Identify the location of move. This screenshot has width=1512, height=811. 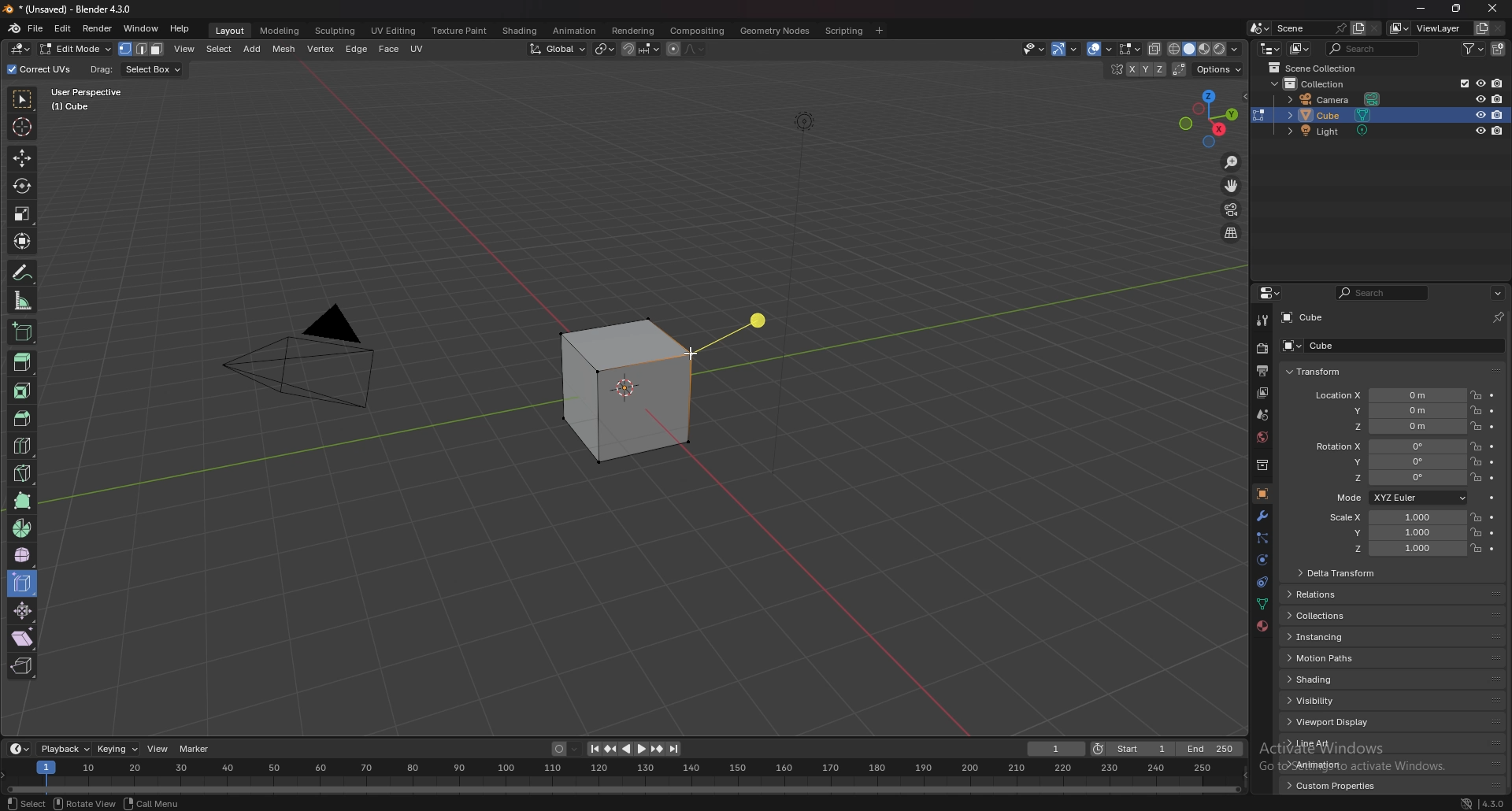
(1232, 184).